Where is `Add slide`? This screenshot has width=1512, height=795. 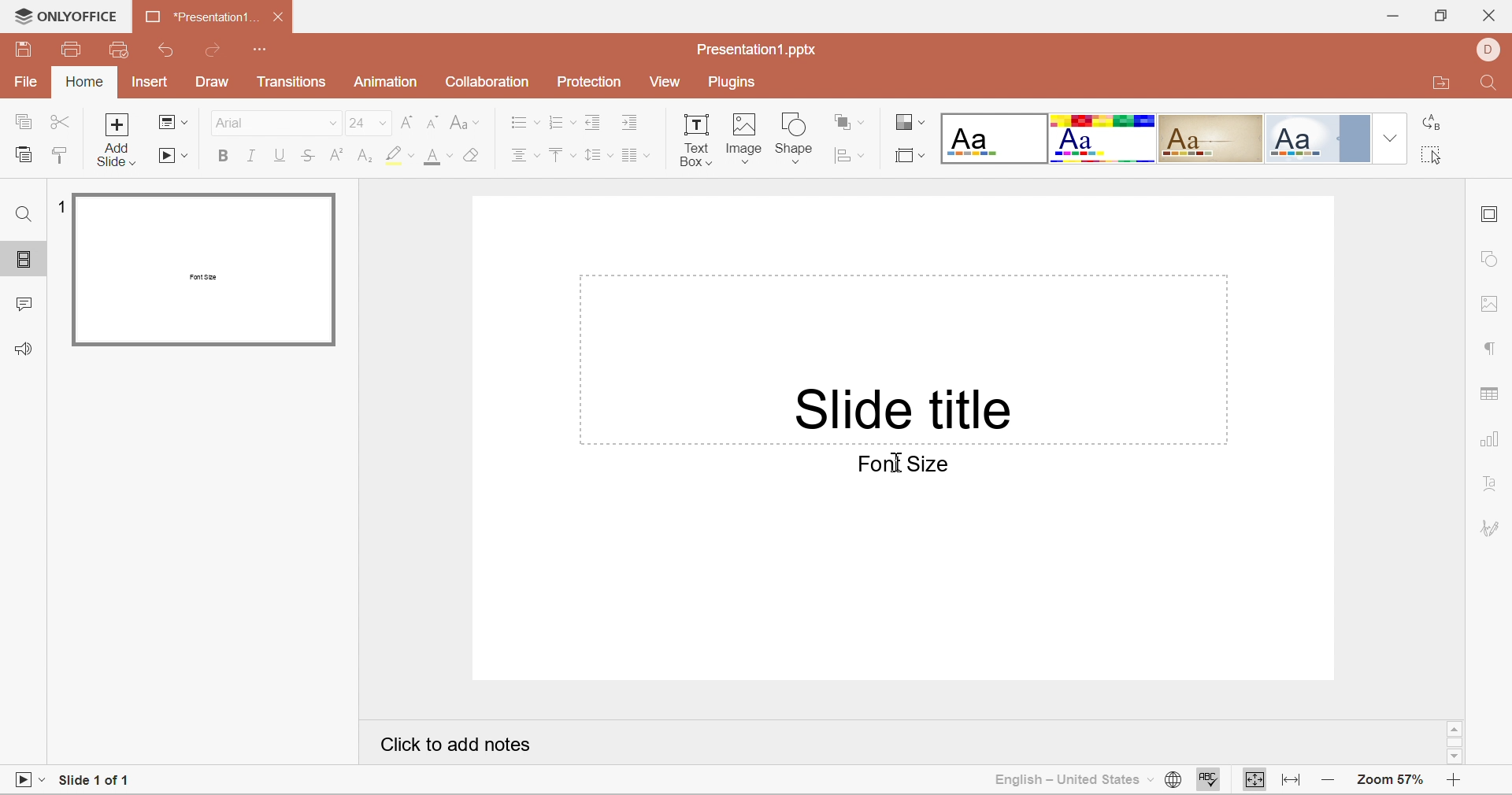 Add slide is located at coordinates (119, 142).